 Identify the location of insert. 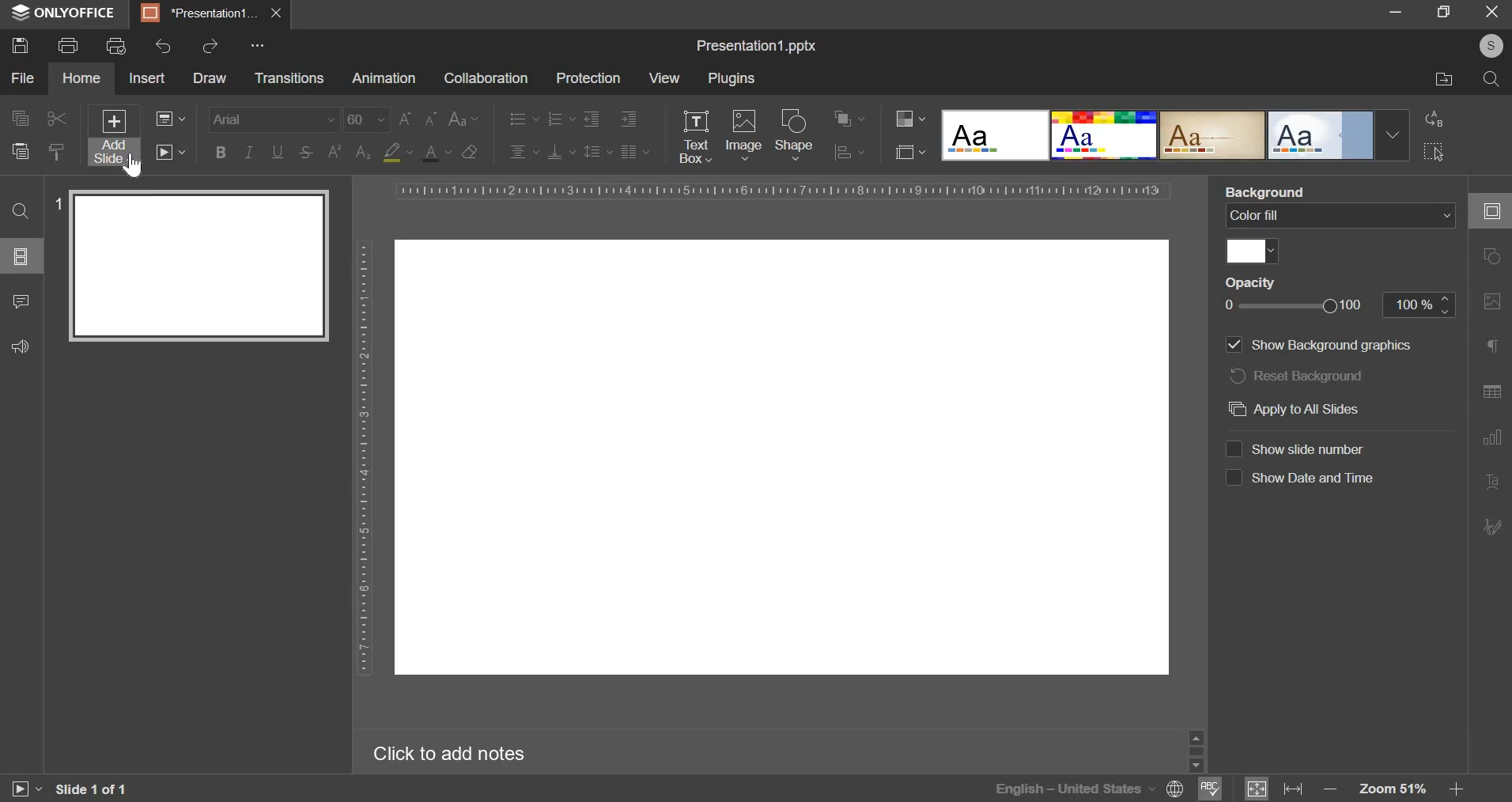
(146, 77).